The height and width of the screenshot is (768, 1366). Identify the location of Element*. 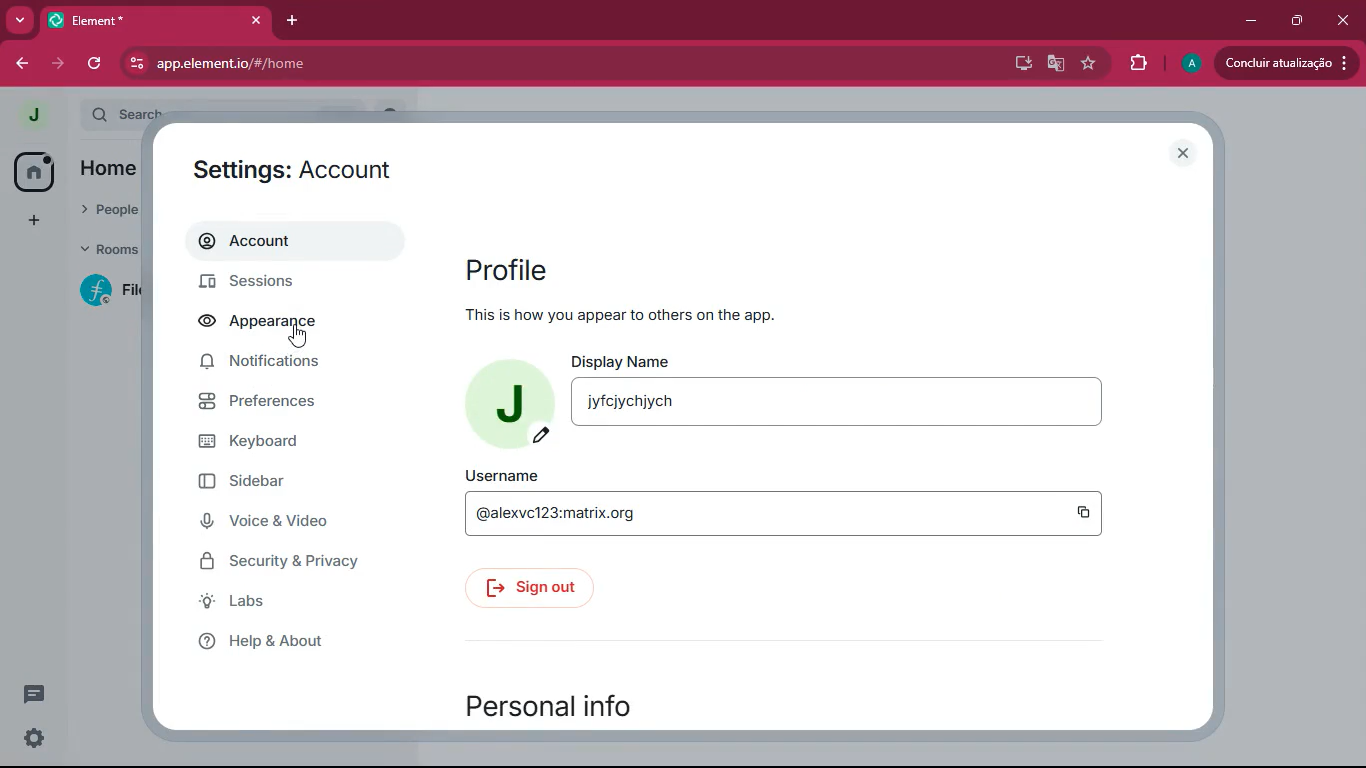
(137, 19).